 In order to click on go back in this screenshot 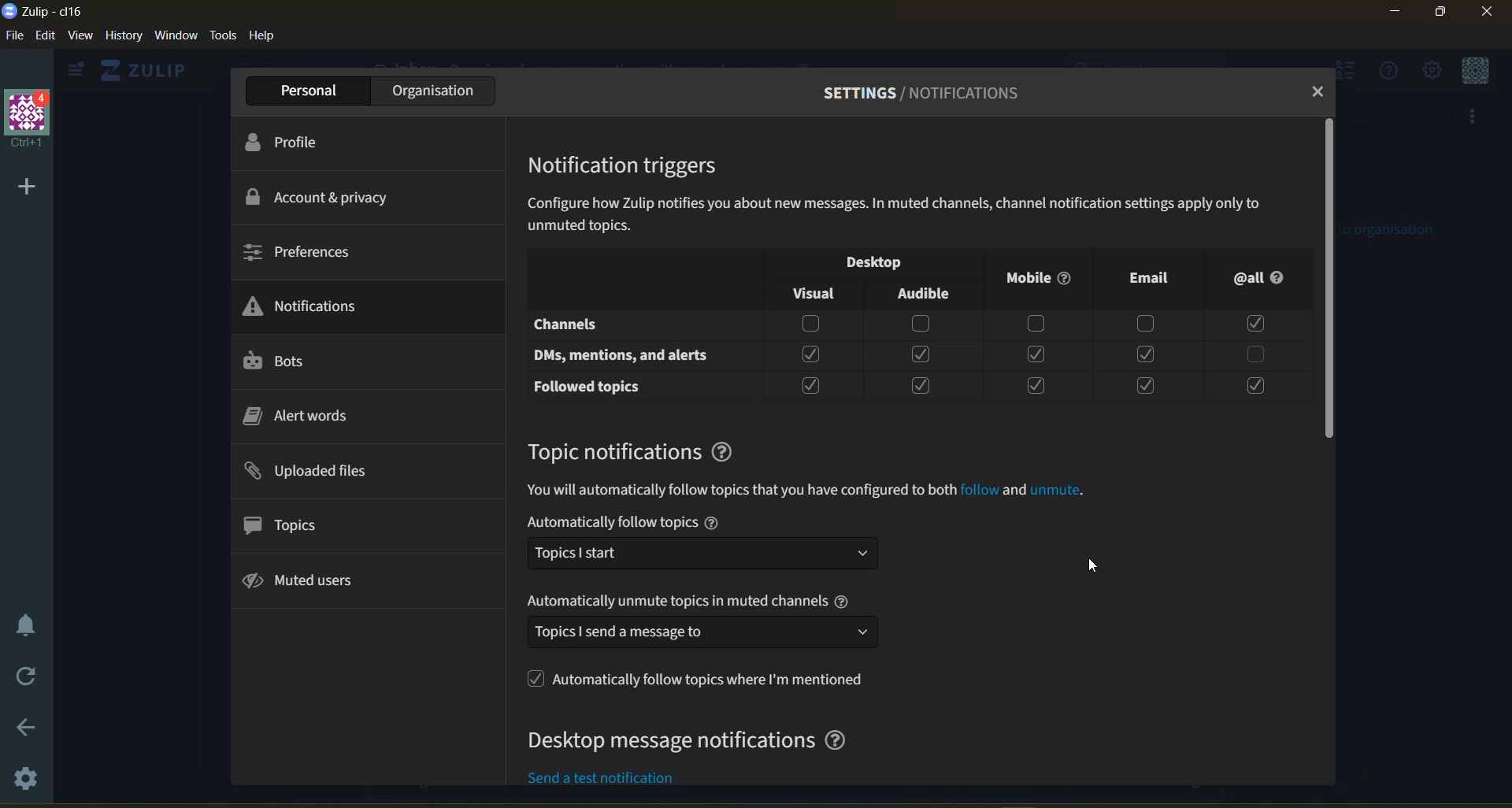, I will do `click(27, 726)`.